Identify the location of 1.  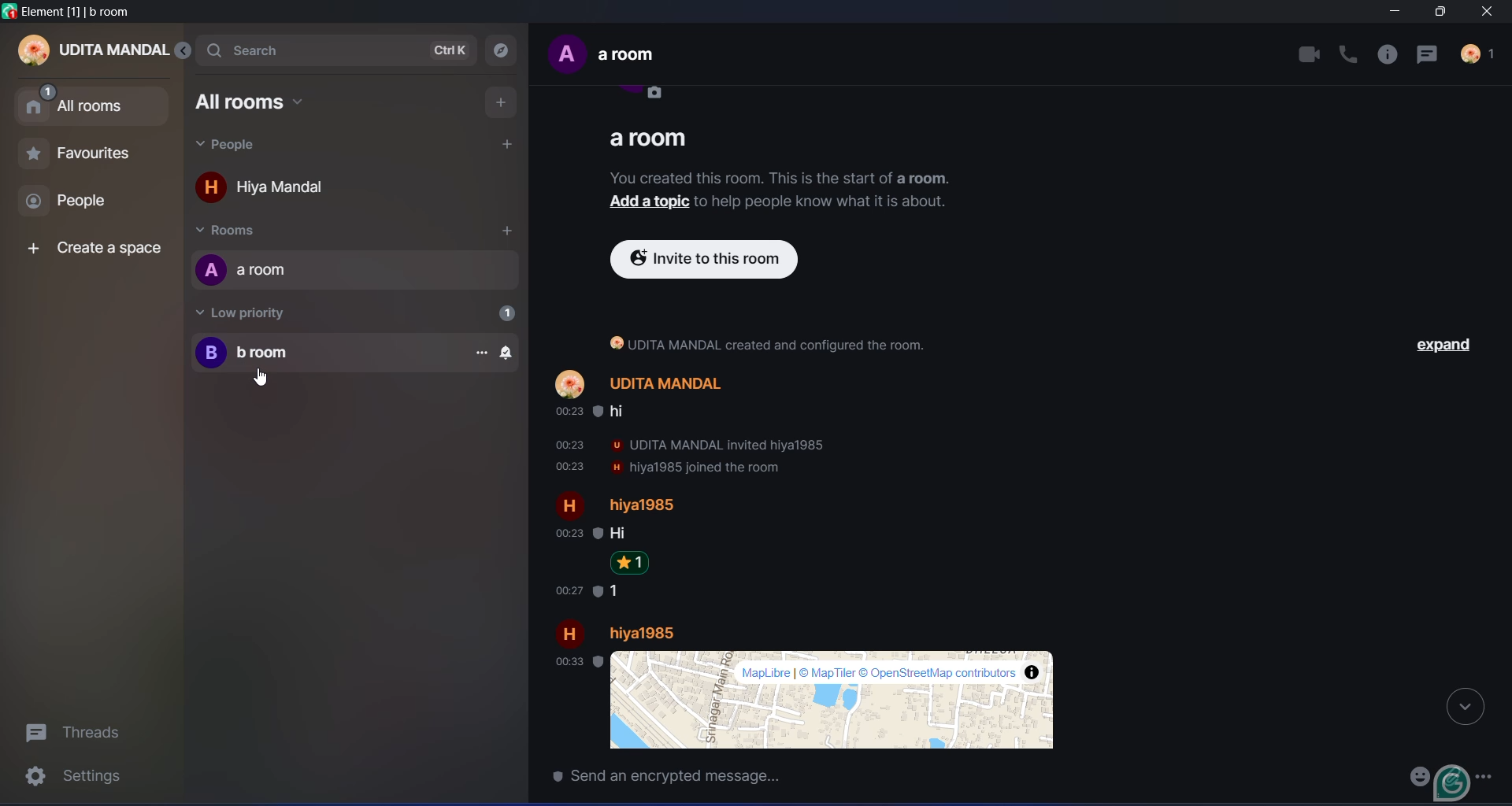
(504, 312).